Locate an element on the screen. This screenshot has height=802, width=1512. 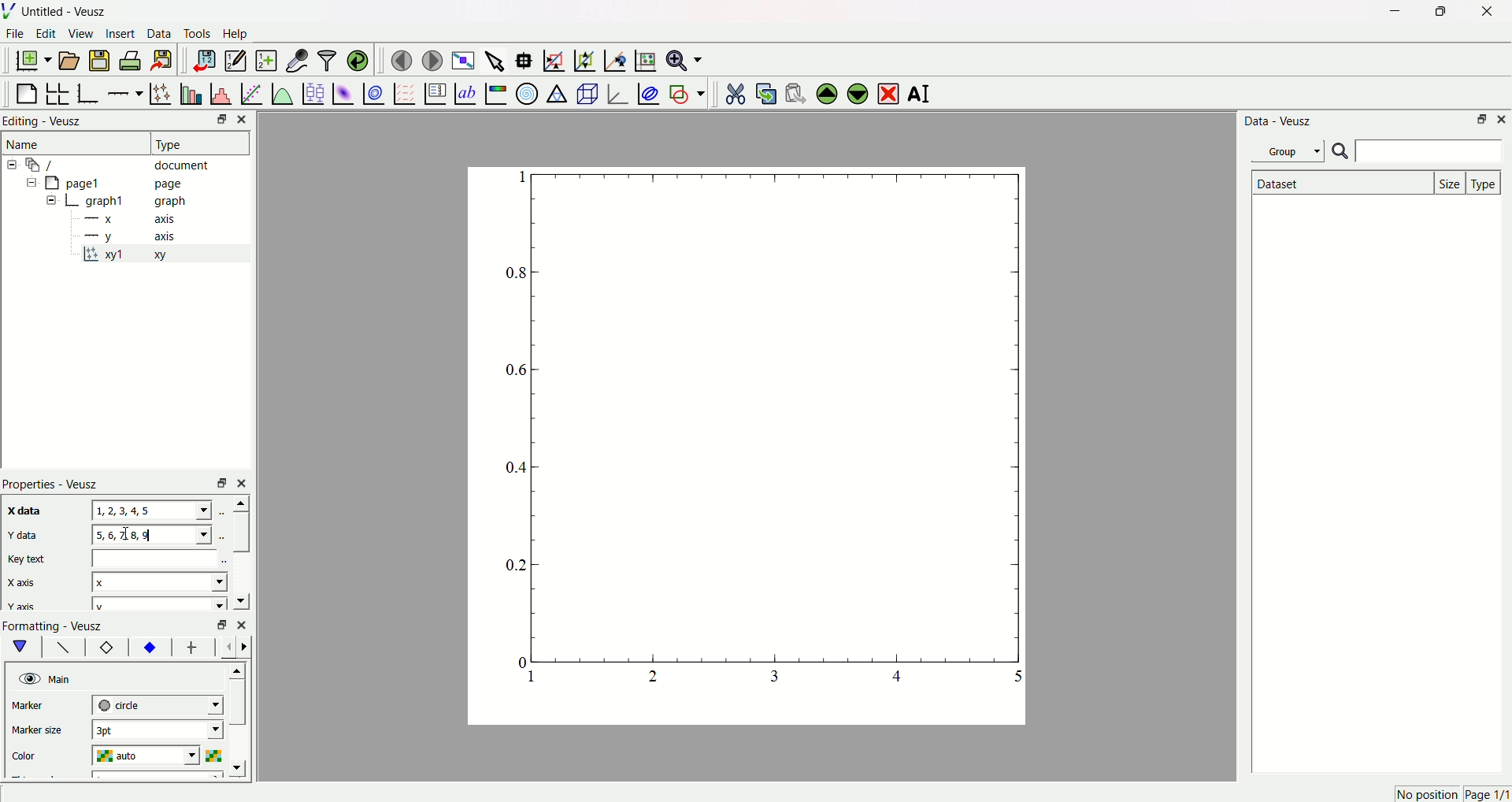
select color is located at coordinates (217, 754).